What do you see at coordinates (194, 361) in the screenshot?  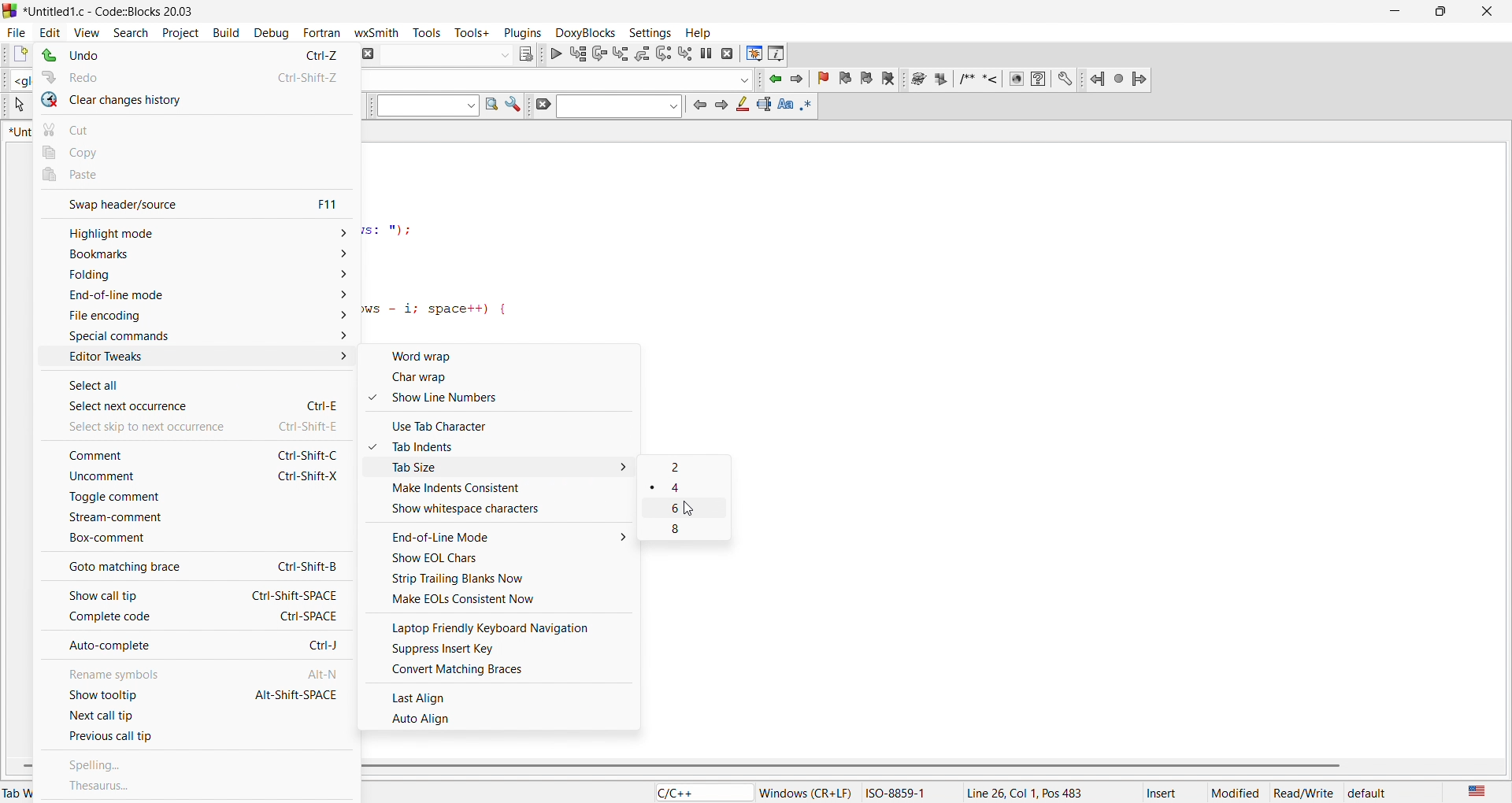 I see `editor tweaks` at bounding box center [194, 361].